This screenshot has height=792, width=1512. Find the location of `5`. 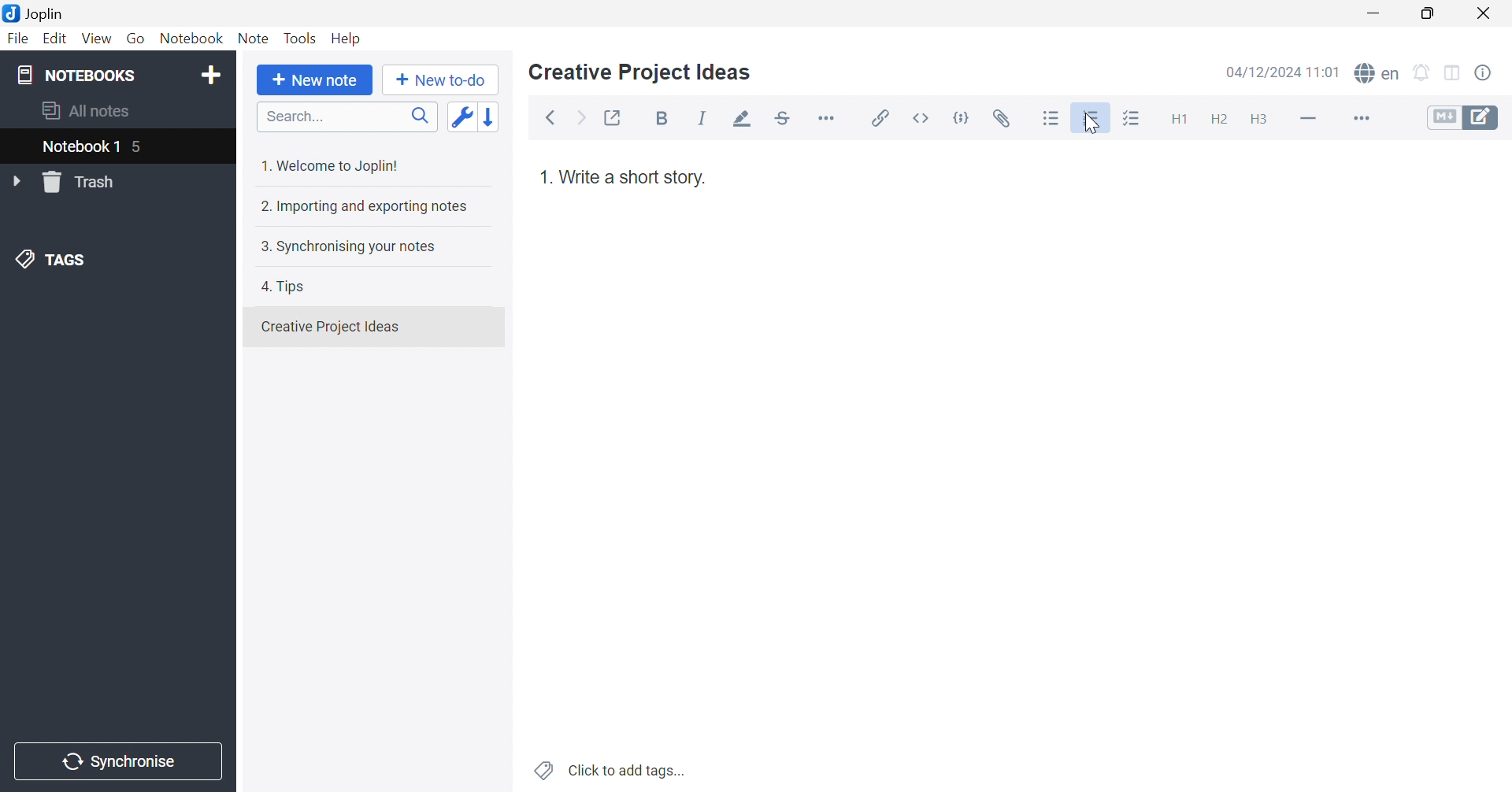

5 is located at coordinates (145, 147).